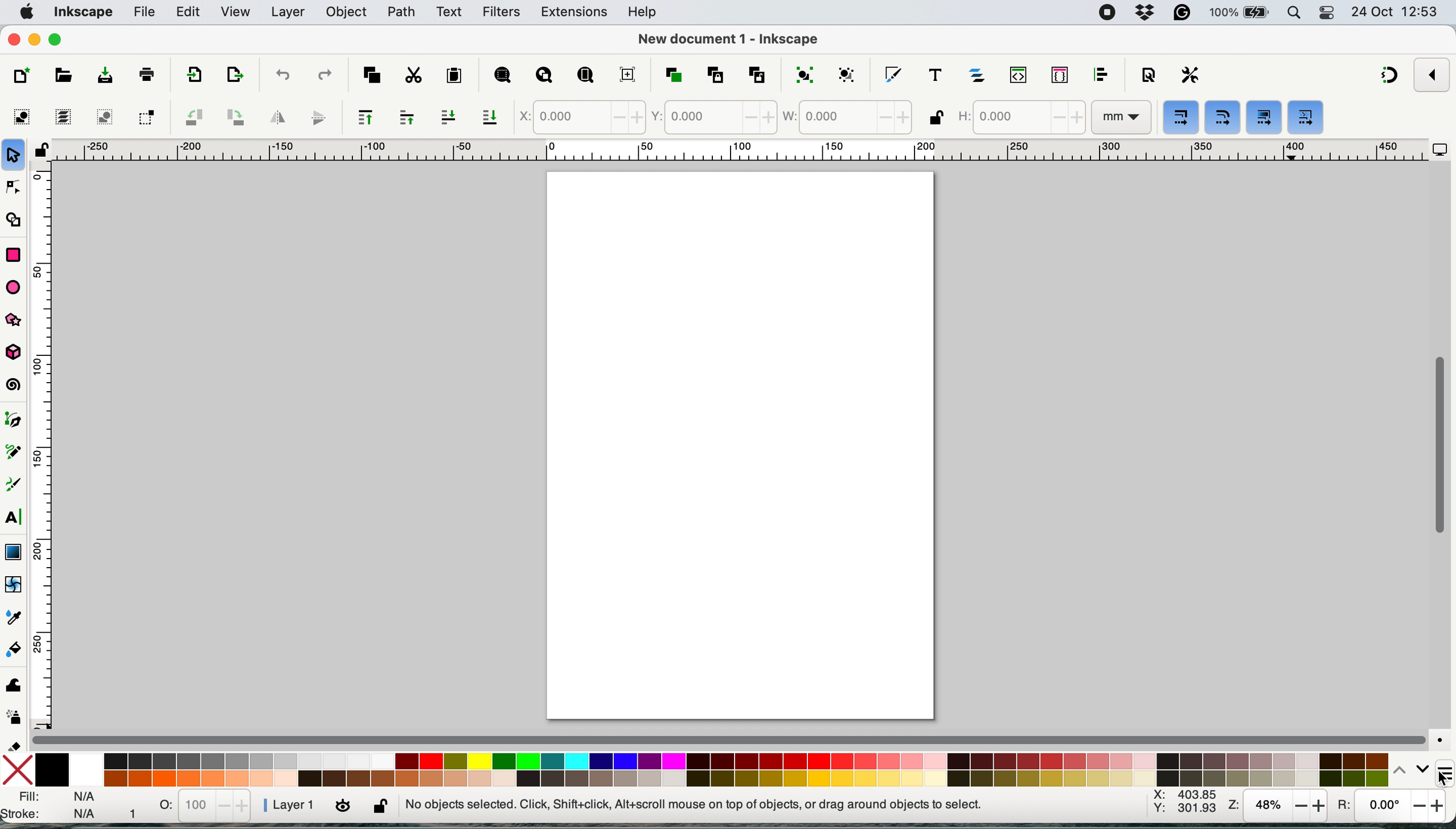 The height and width of the screenshot is (829, 1456). What do you see at coordinates (1442, 738) in the screenshot?
I see `color managed mode` at bounding box center [1442, 738].